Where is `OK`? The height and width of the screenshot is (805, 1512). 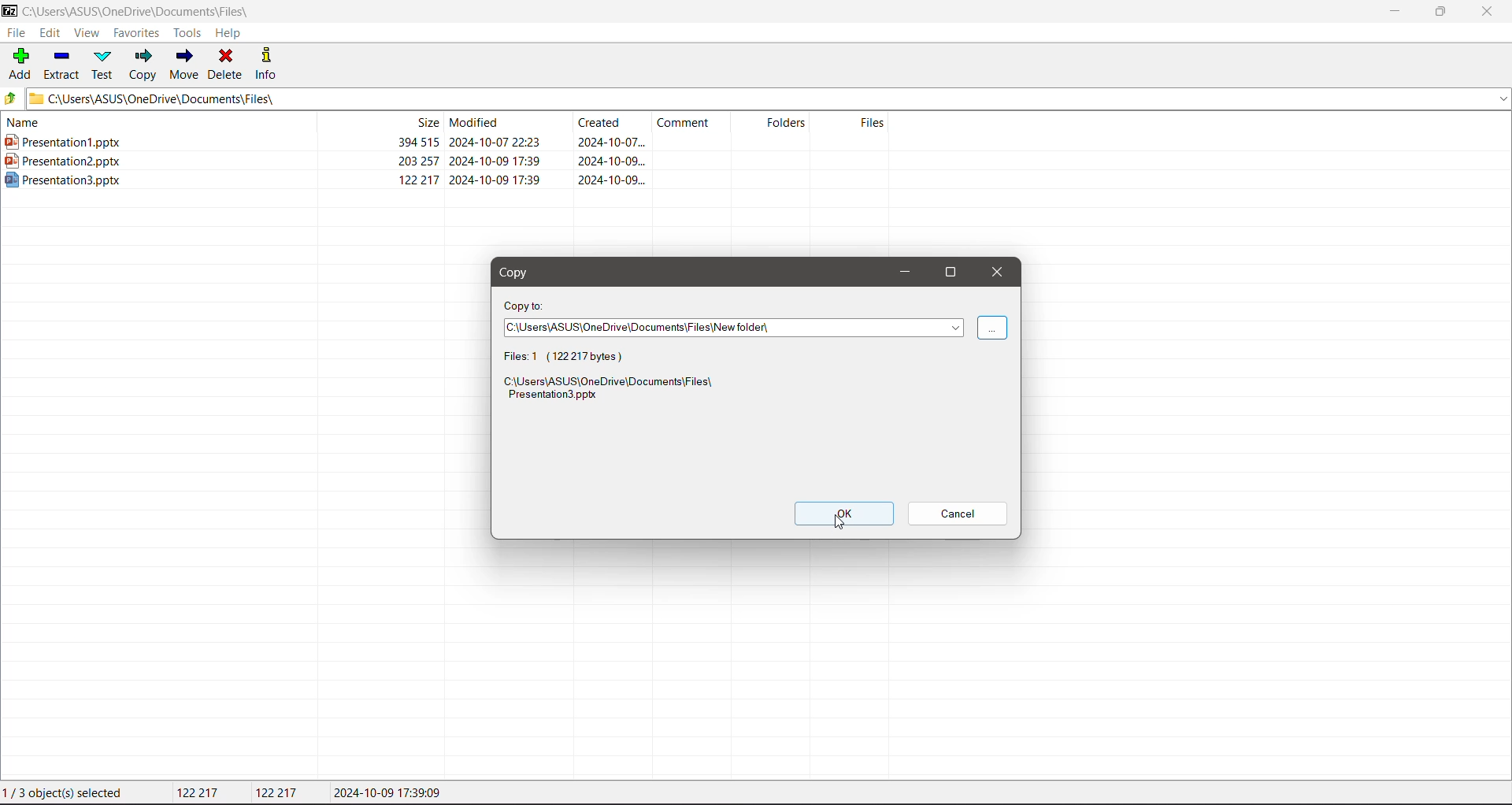 OK is located at coordinates (844, 514).